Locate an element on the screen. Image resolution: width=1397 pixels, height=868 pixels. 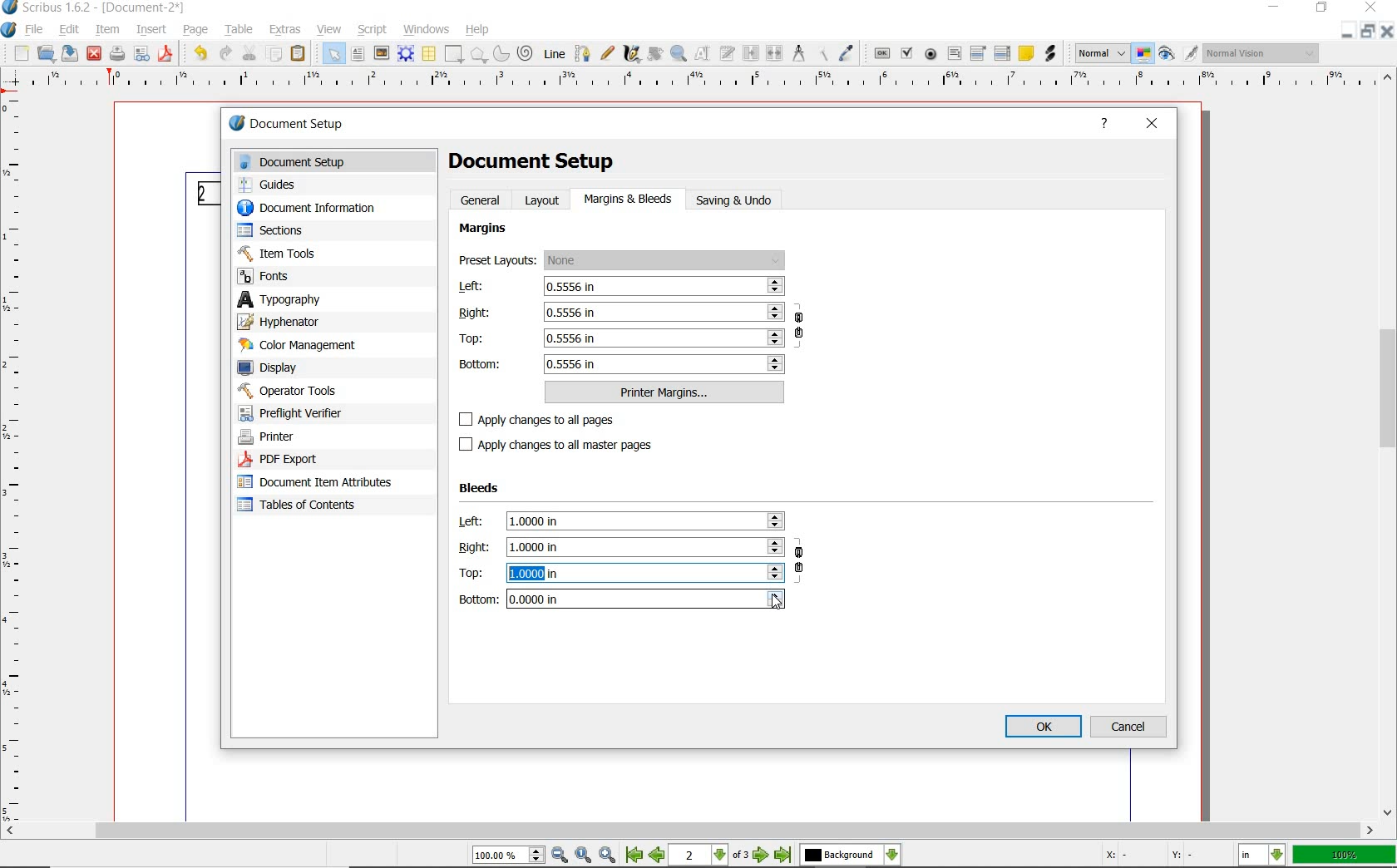
cut is located at coordinates (249, 52).